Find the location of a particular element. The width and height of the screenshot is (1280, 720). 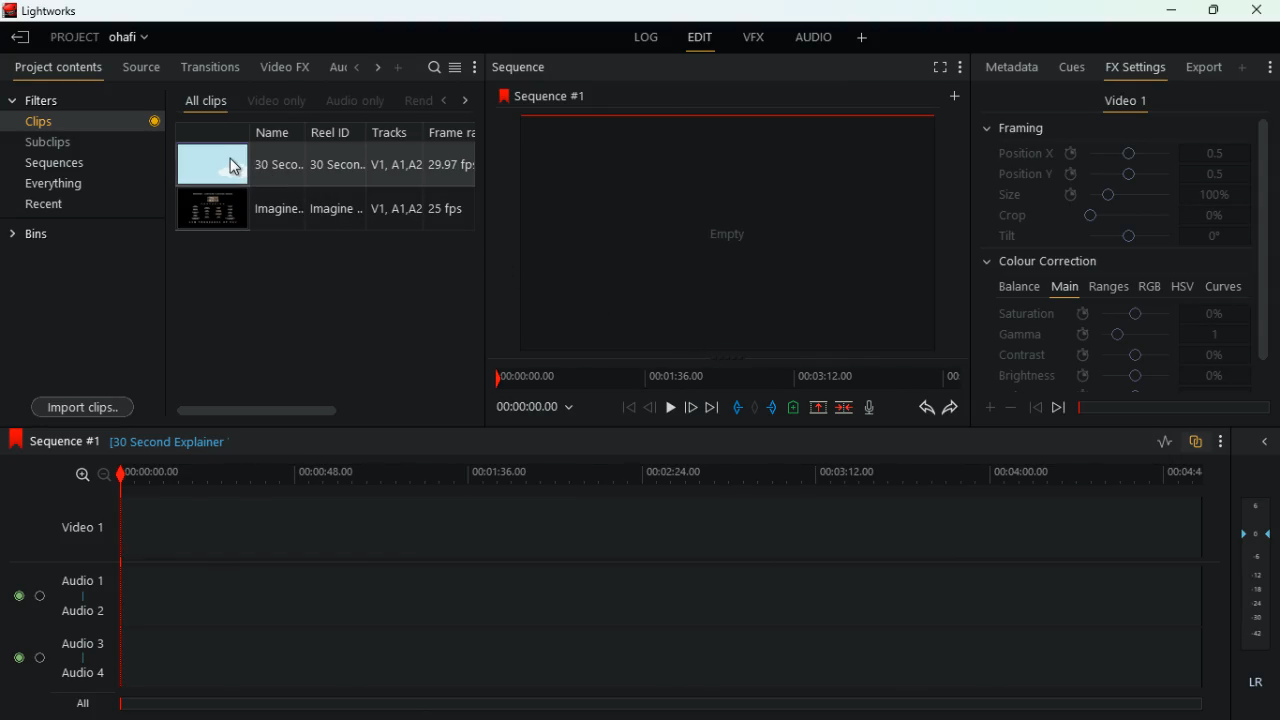

forward is located at coordinates (950, 409).